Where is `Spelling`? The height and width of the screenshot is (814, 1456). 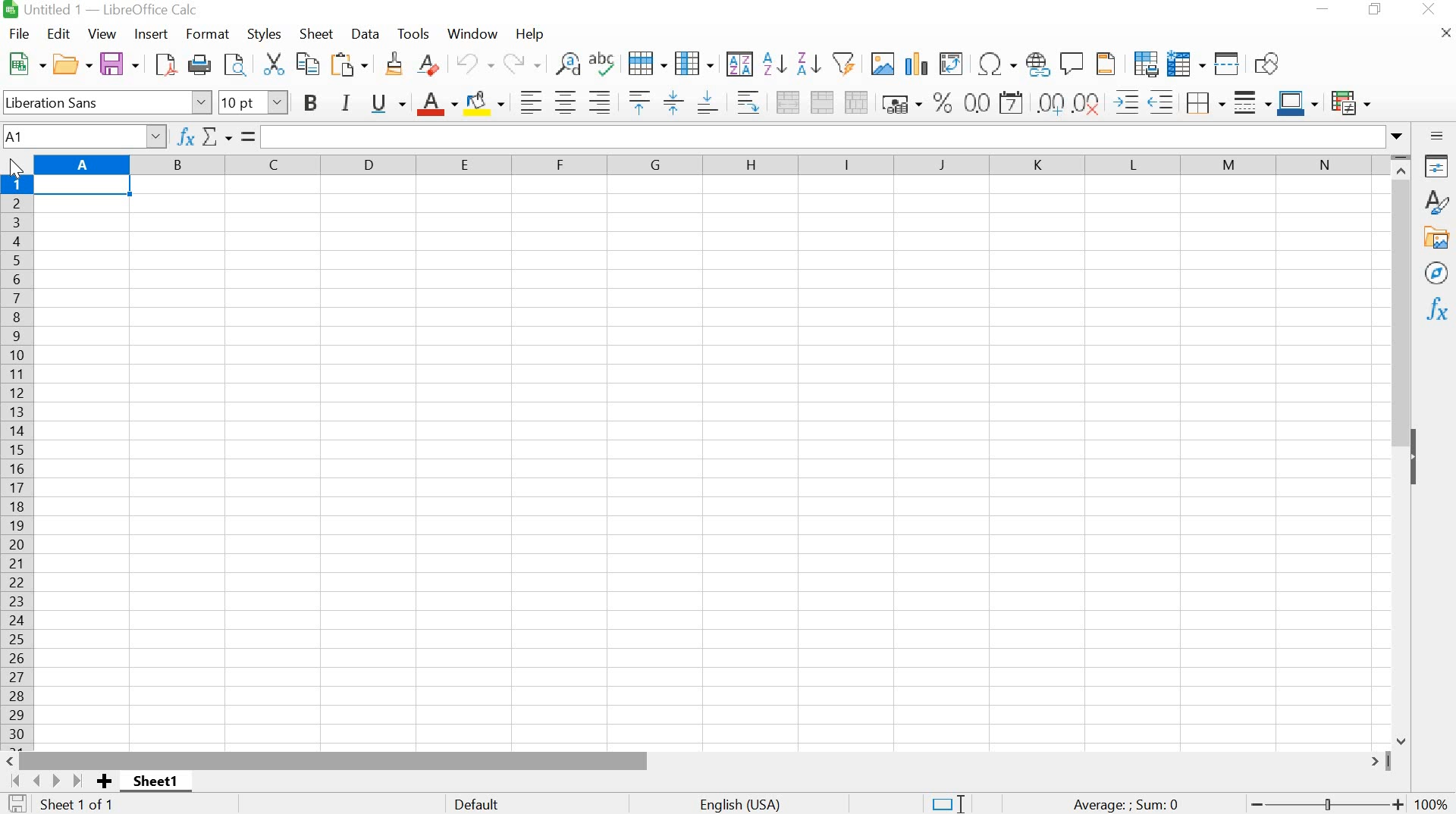
Spelling is located at coordinates (601, 64).